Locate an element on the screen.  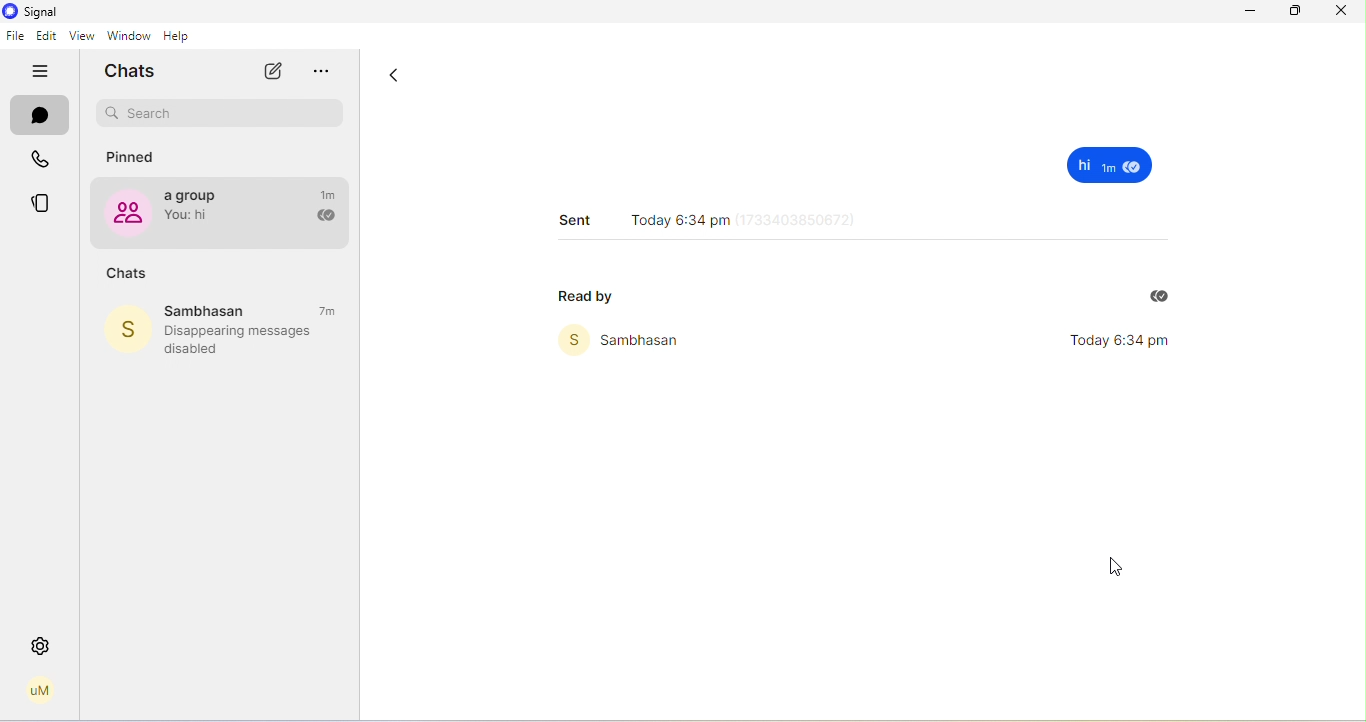
view archive is located at coordinates (329, 73).